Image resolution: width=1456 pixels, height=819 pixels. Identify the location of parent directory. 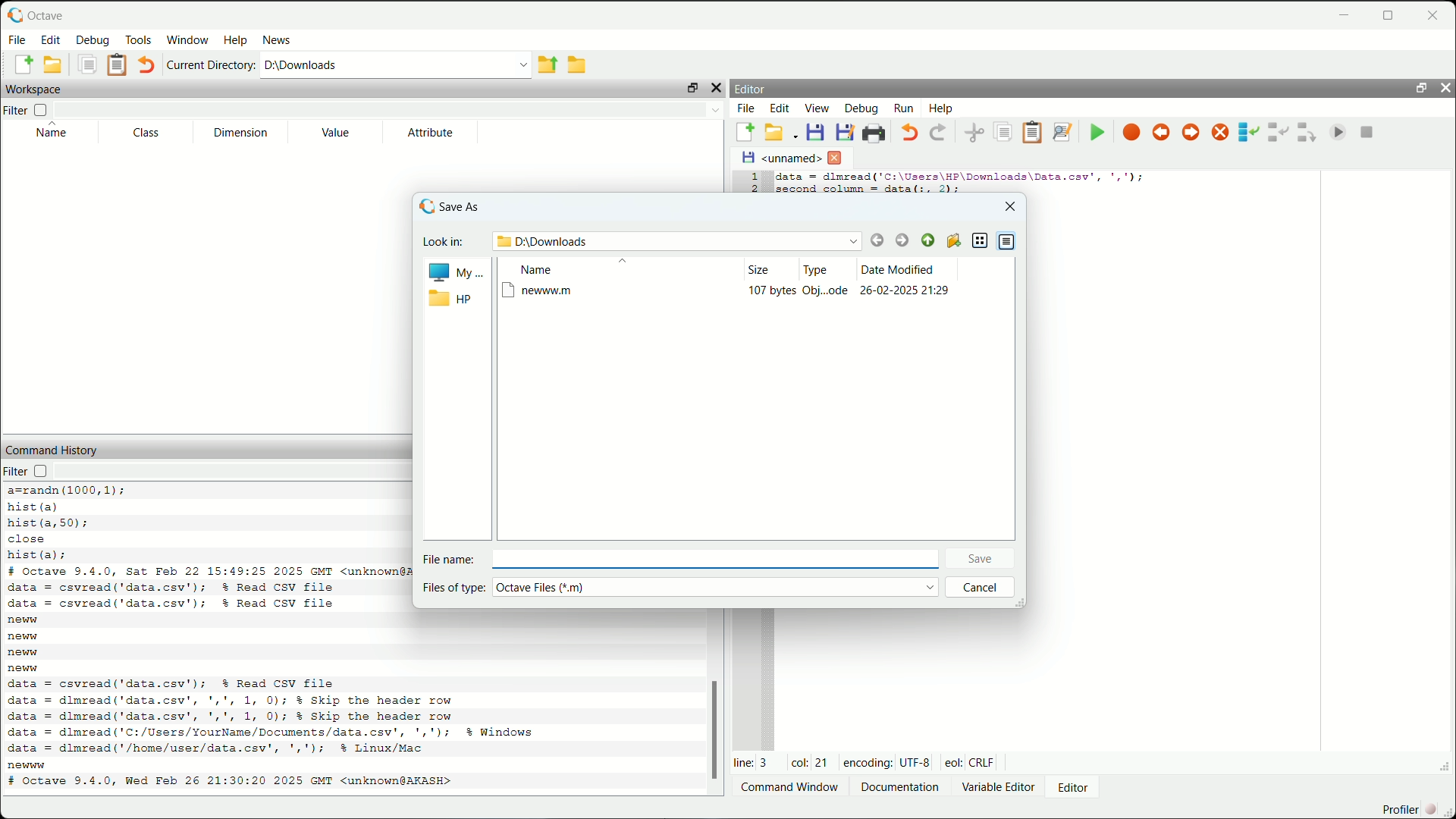
(927, 238).